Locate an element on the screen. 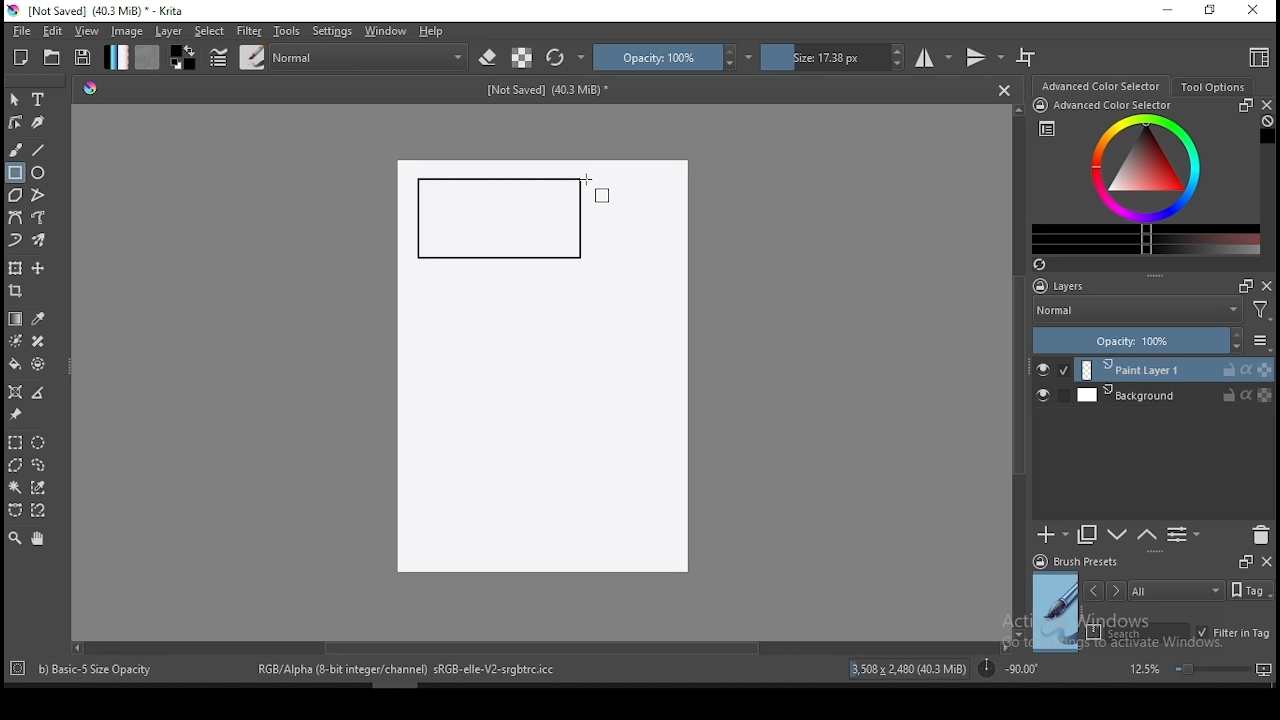  filter is located at coordinates (248, 31).